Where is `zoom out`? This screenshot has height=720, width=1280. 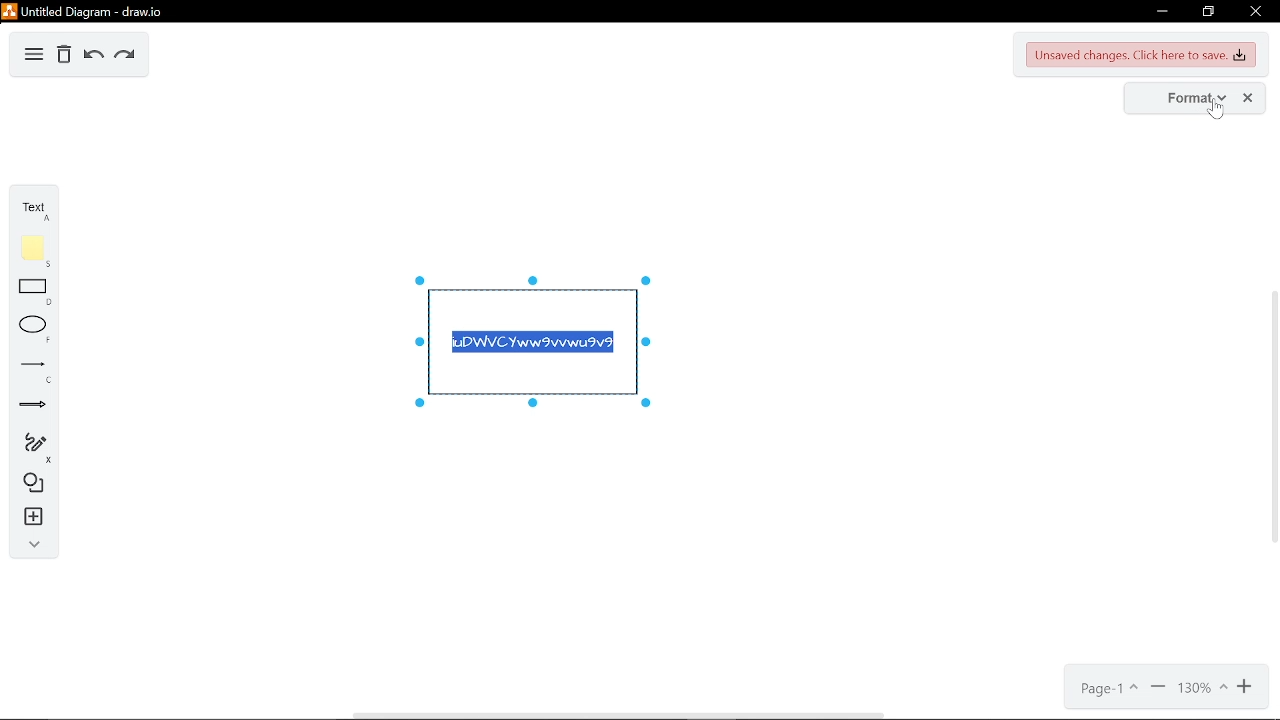
zoom out is located at coordinates (1156, 690).